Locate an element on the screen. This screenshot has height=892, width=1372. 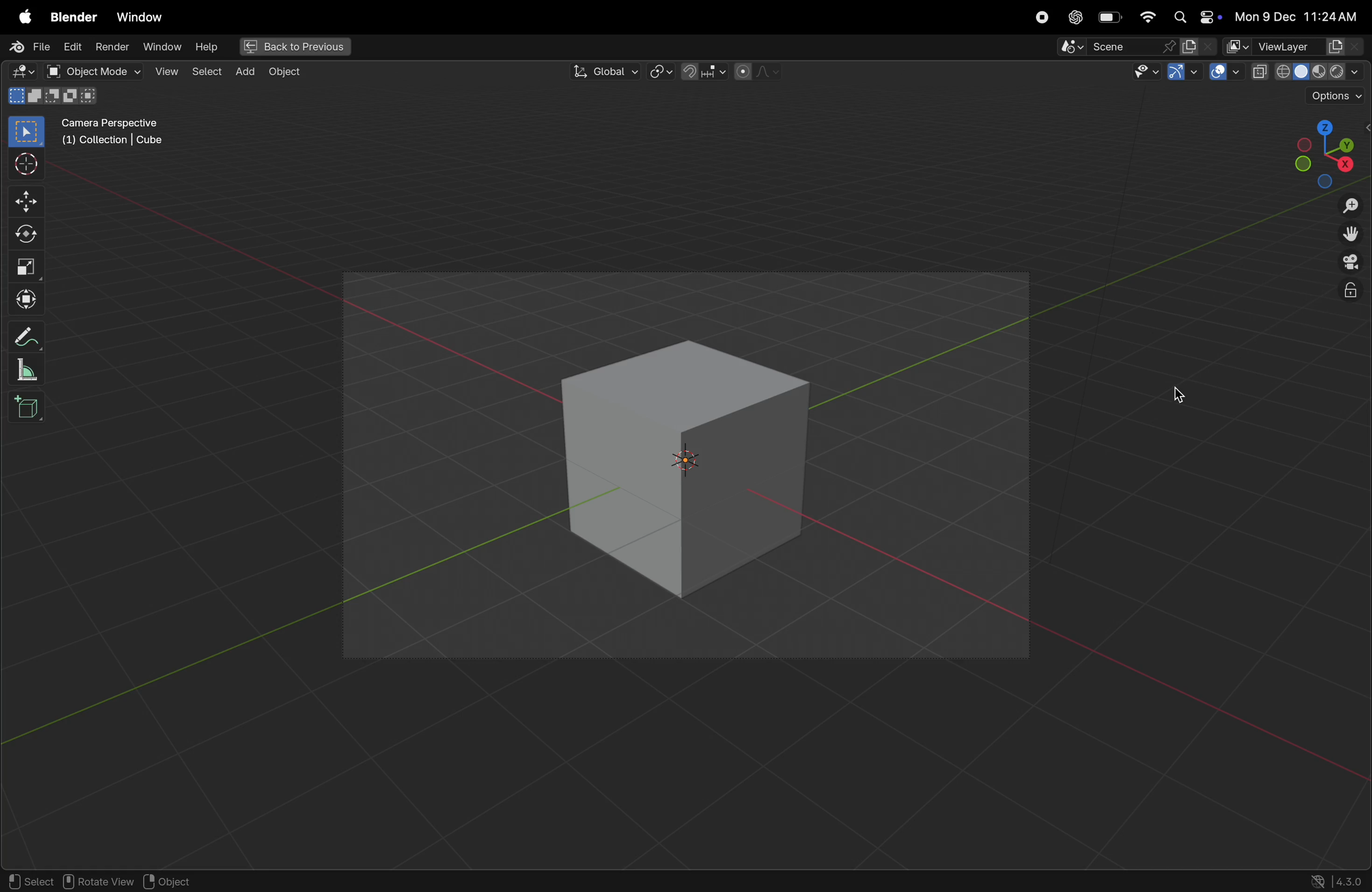
move is located at coordinates (24, 201).